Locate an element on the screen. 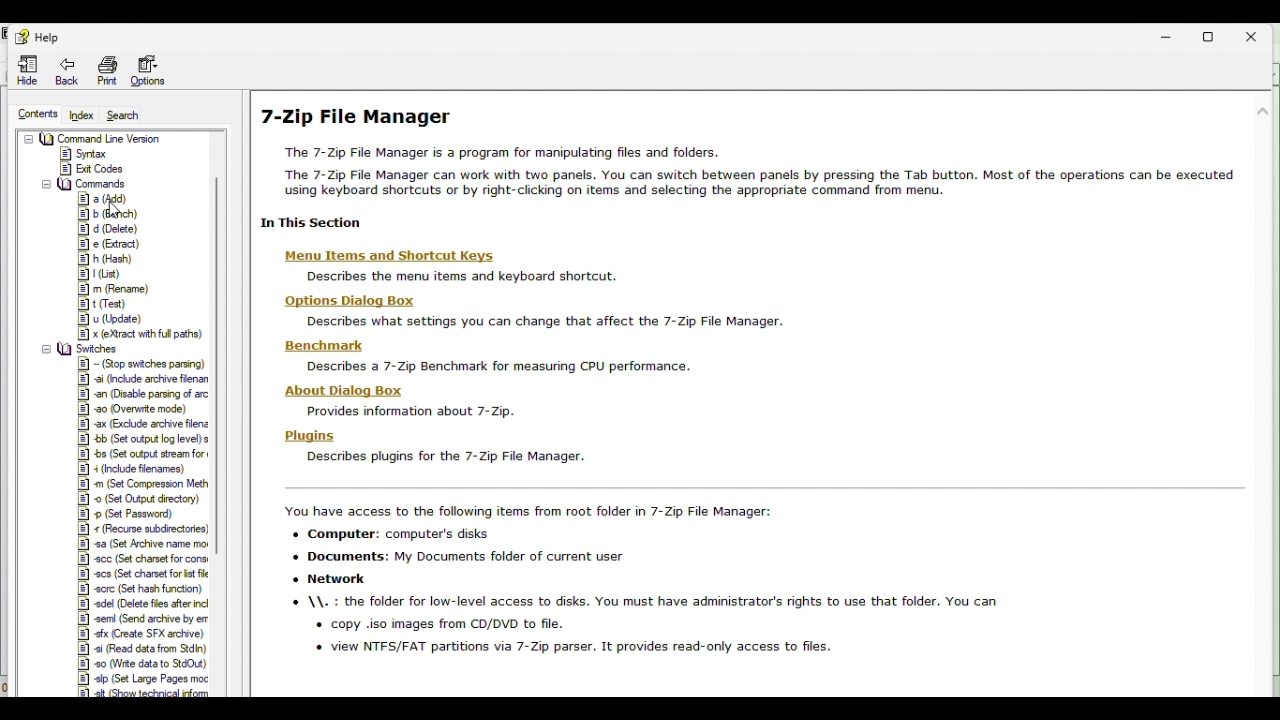 Image resolution: width=1280 pixels, height=720 pixels. minimize is located at coordinates (1166, 36).